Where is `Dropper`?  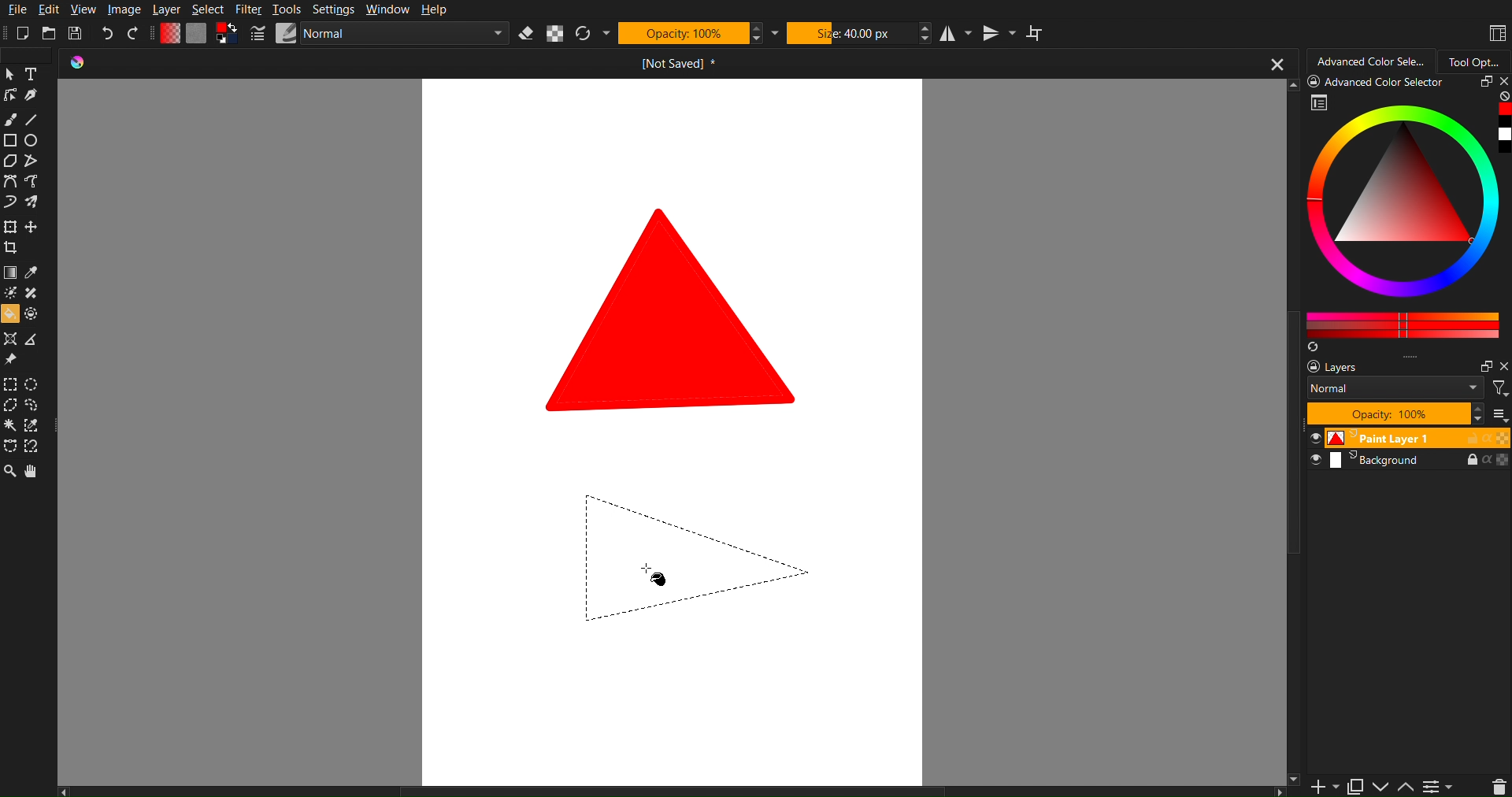 Dropper is located at coordinates (32, 274).